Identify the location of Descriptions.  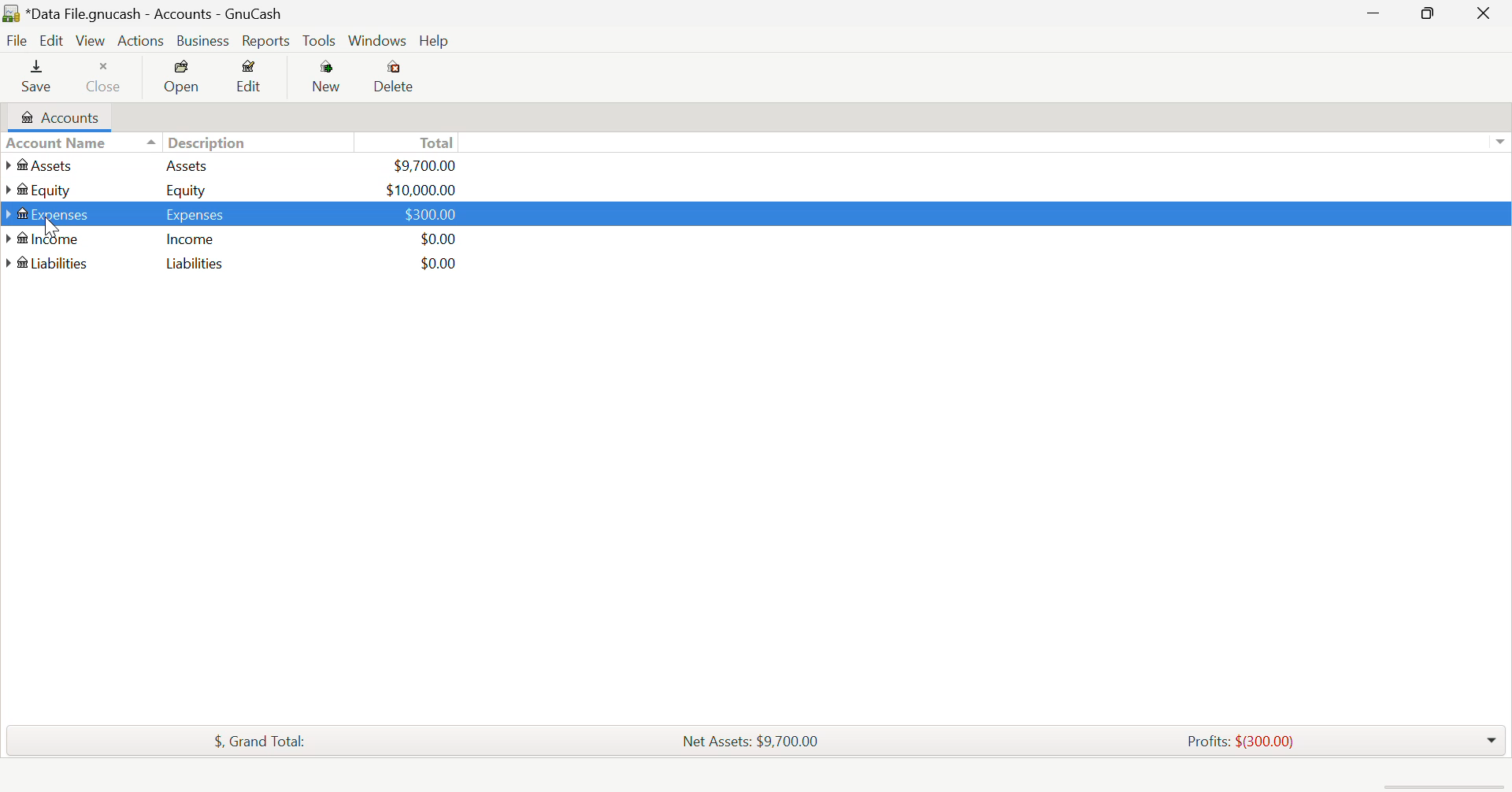
(207, 143).